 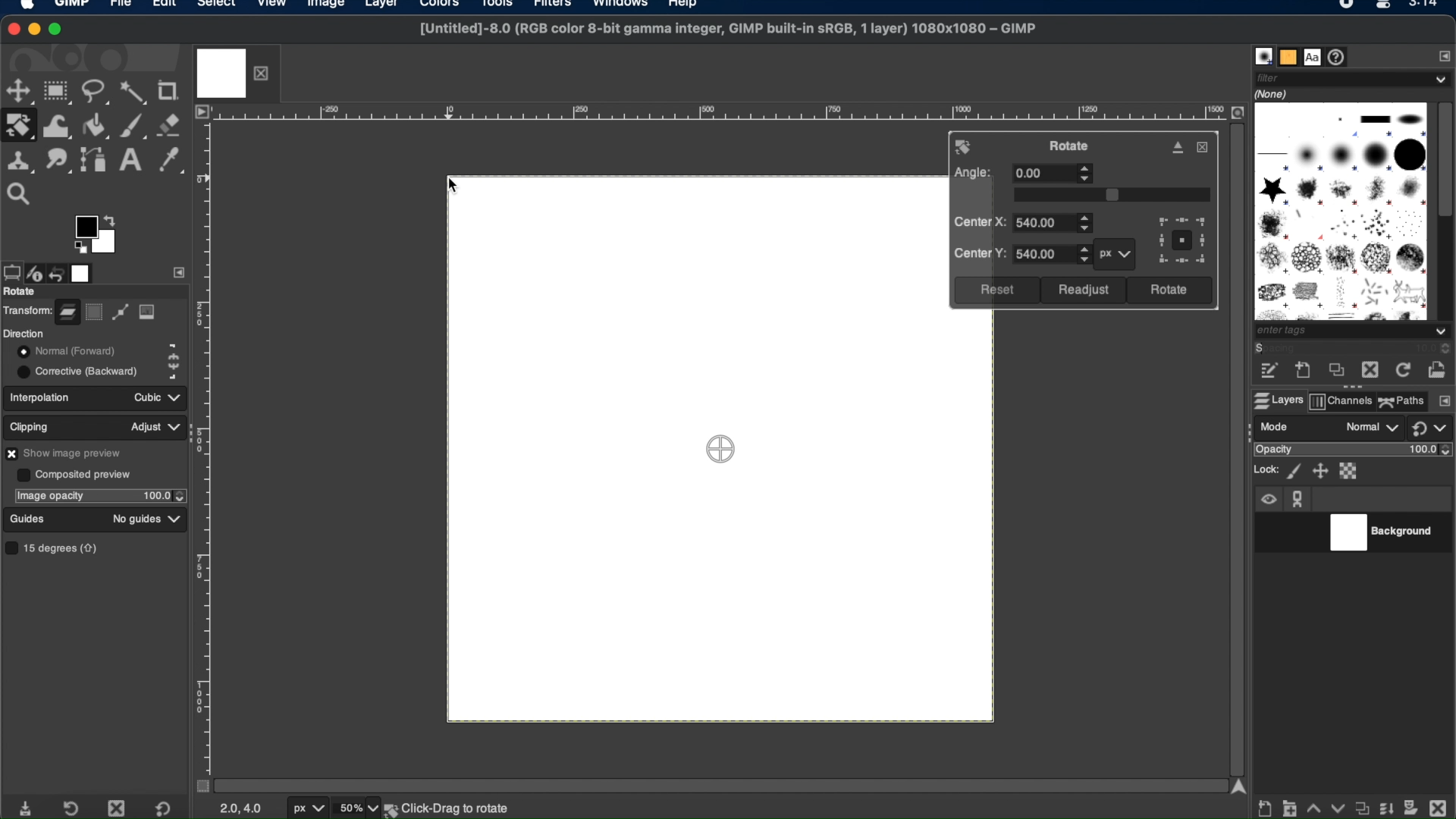 What do you see at coordinates (171, 125) in the screenshot?
I see `eraser tool` at bounding box center [171, 125].